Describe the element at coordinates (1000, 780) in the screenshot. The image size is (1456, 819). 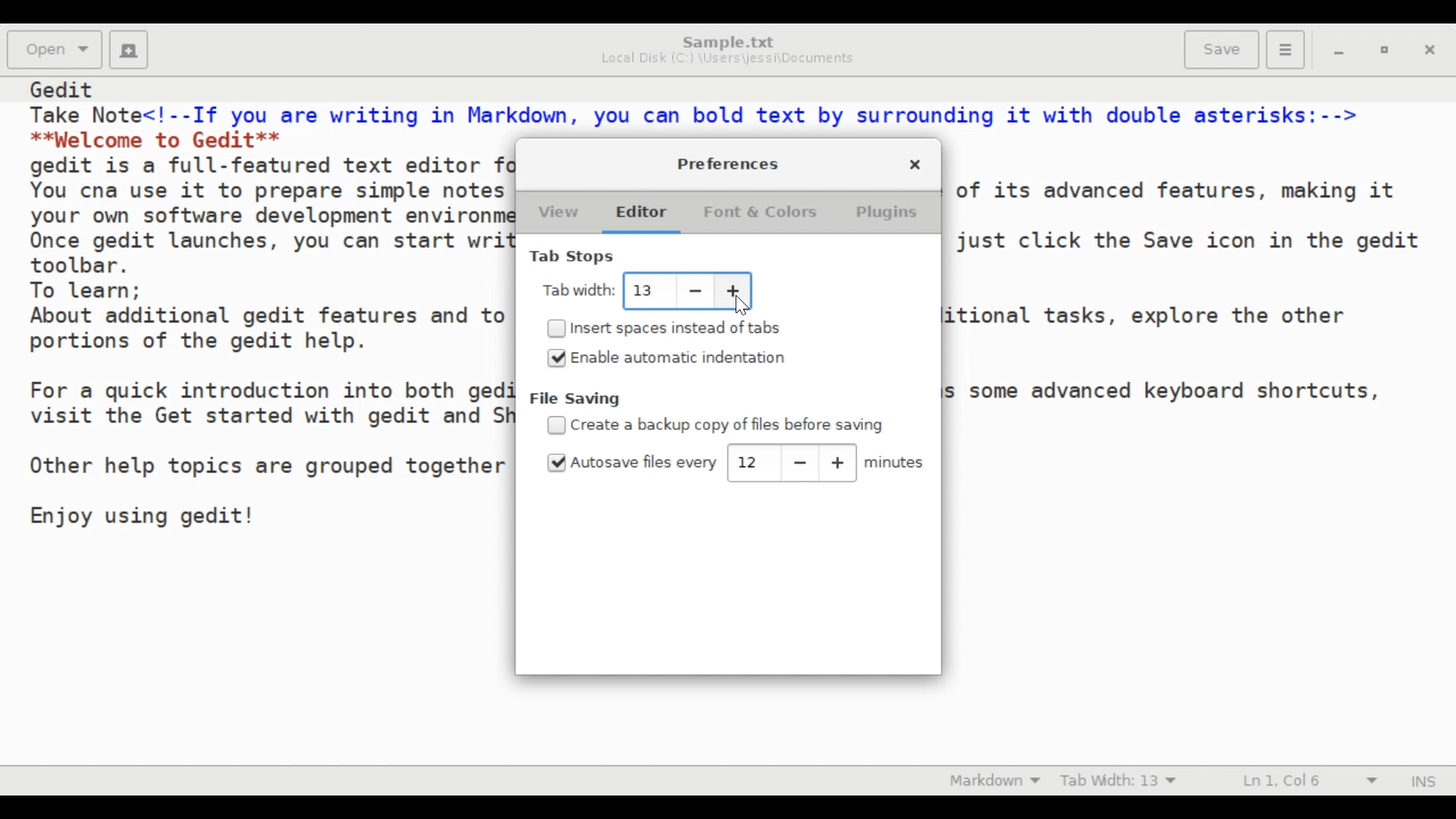
I see `Highlight Mode: Markdown` at that location.